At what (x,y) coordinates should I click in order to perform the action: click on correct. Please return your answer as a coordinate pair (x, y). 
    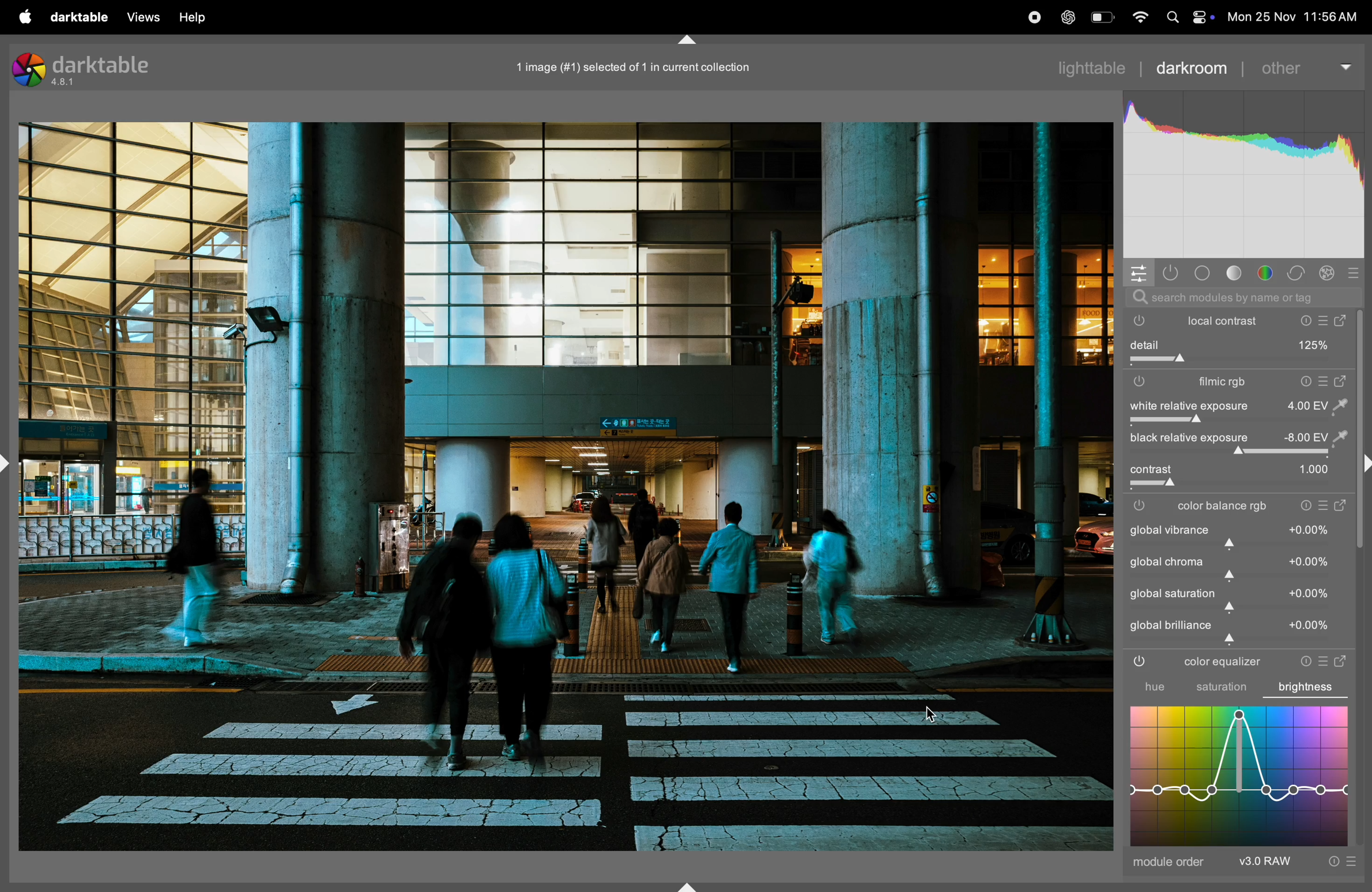
    Looking at the image, I should click on (1299, 271).